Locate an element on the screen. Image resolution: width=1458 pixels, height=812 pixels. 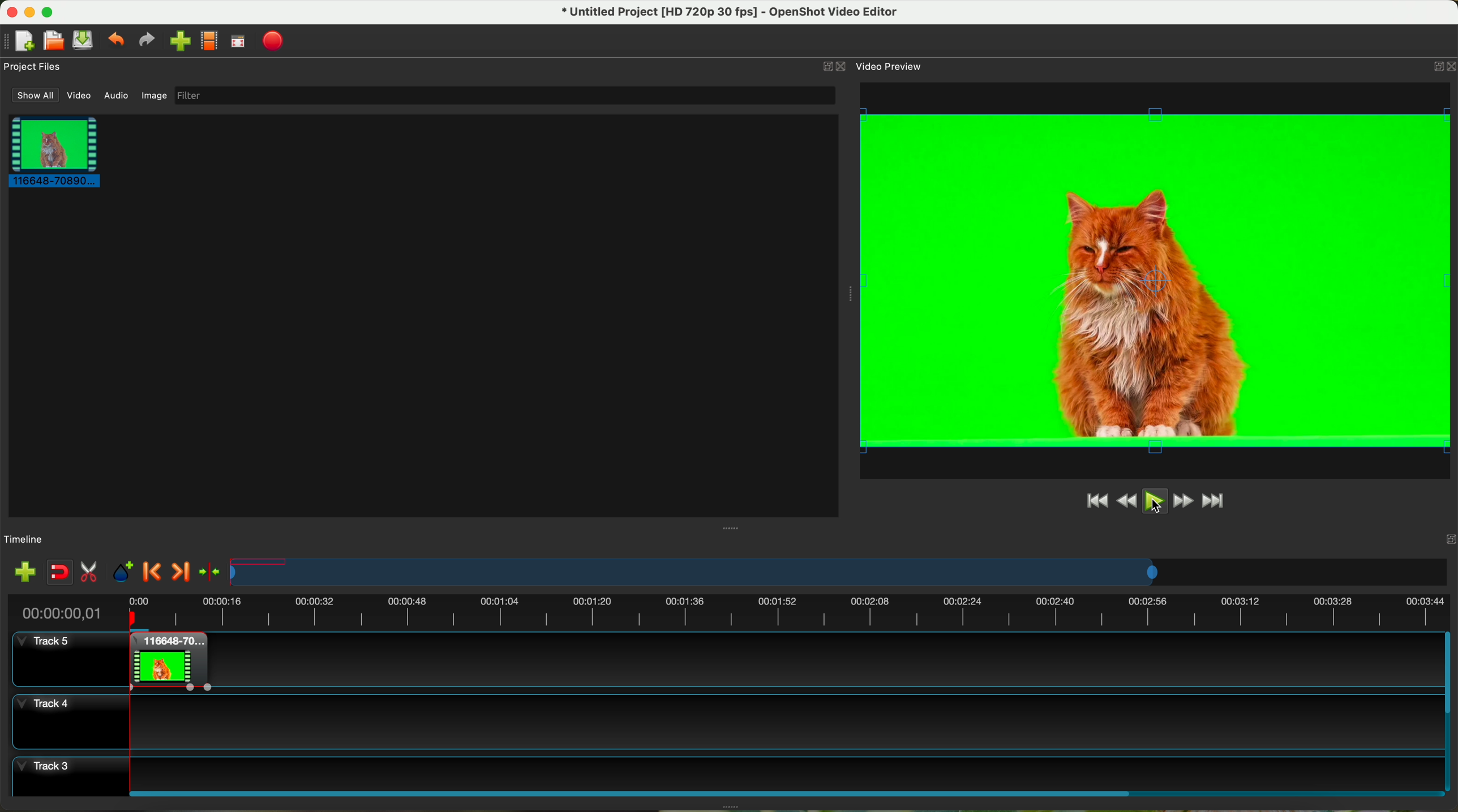
open project is located at coordinates (55, 40).